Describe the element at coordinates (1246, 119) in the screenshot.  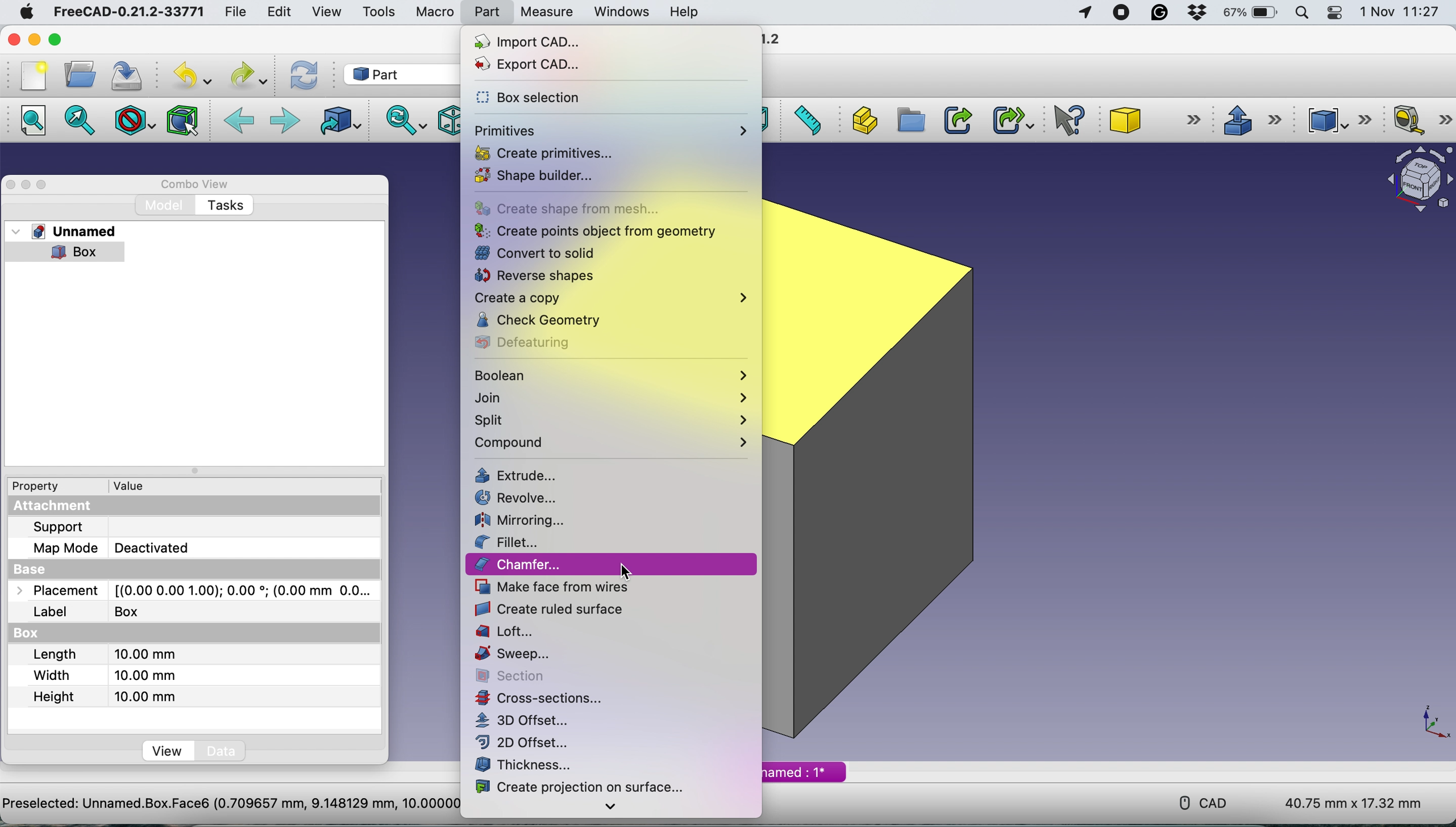
I see `extrude` at that location.